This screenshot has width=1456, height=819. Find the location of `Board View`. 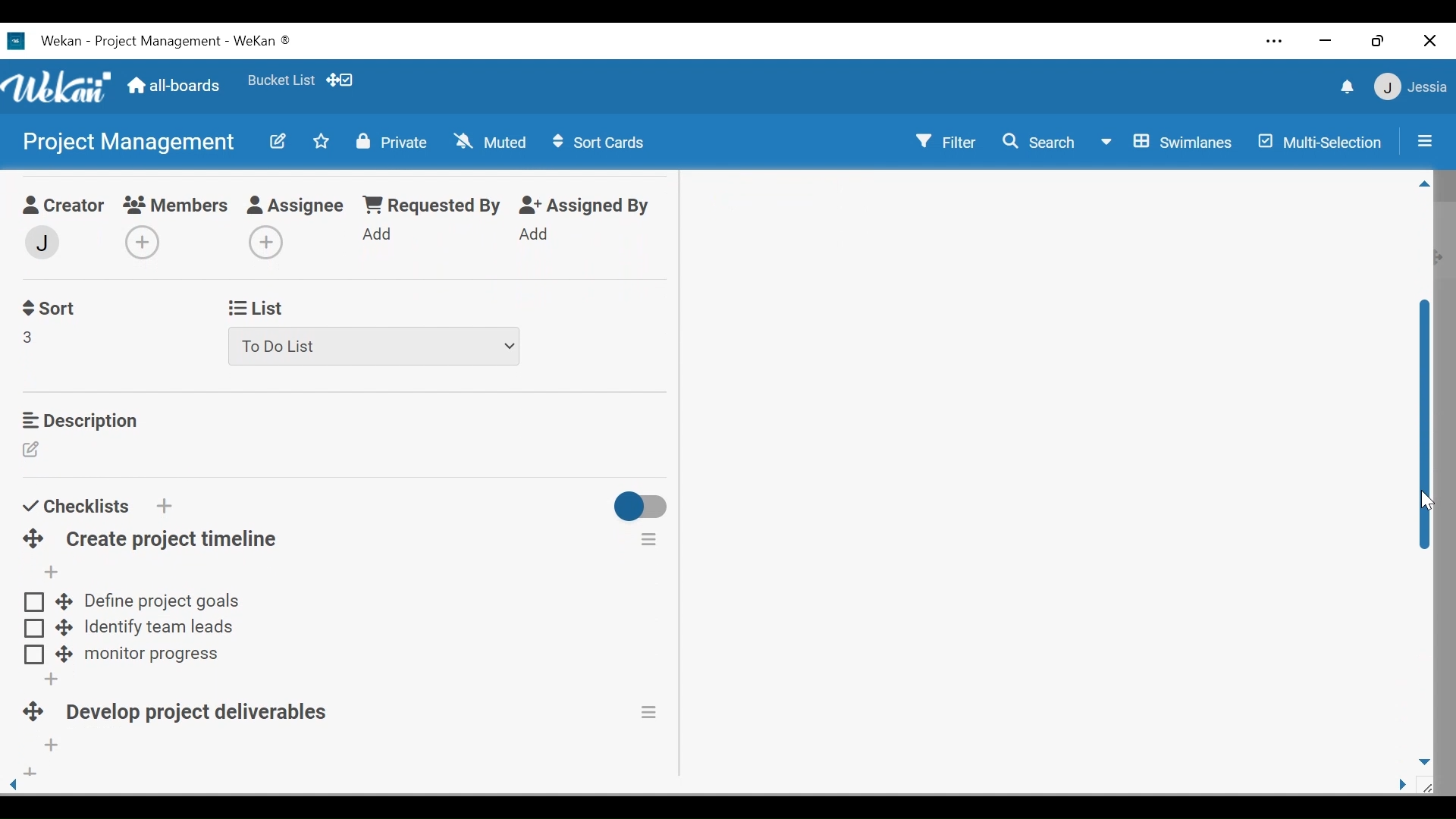

Board View is located at coordinates (1170, 143).